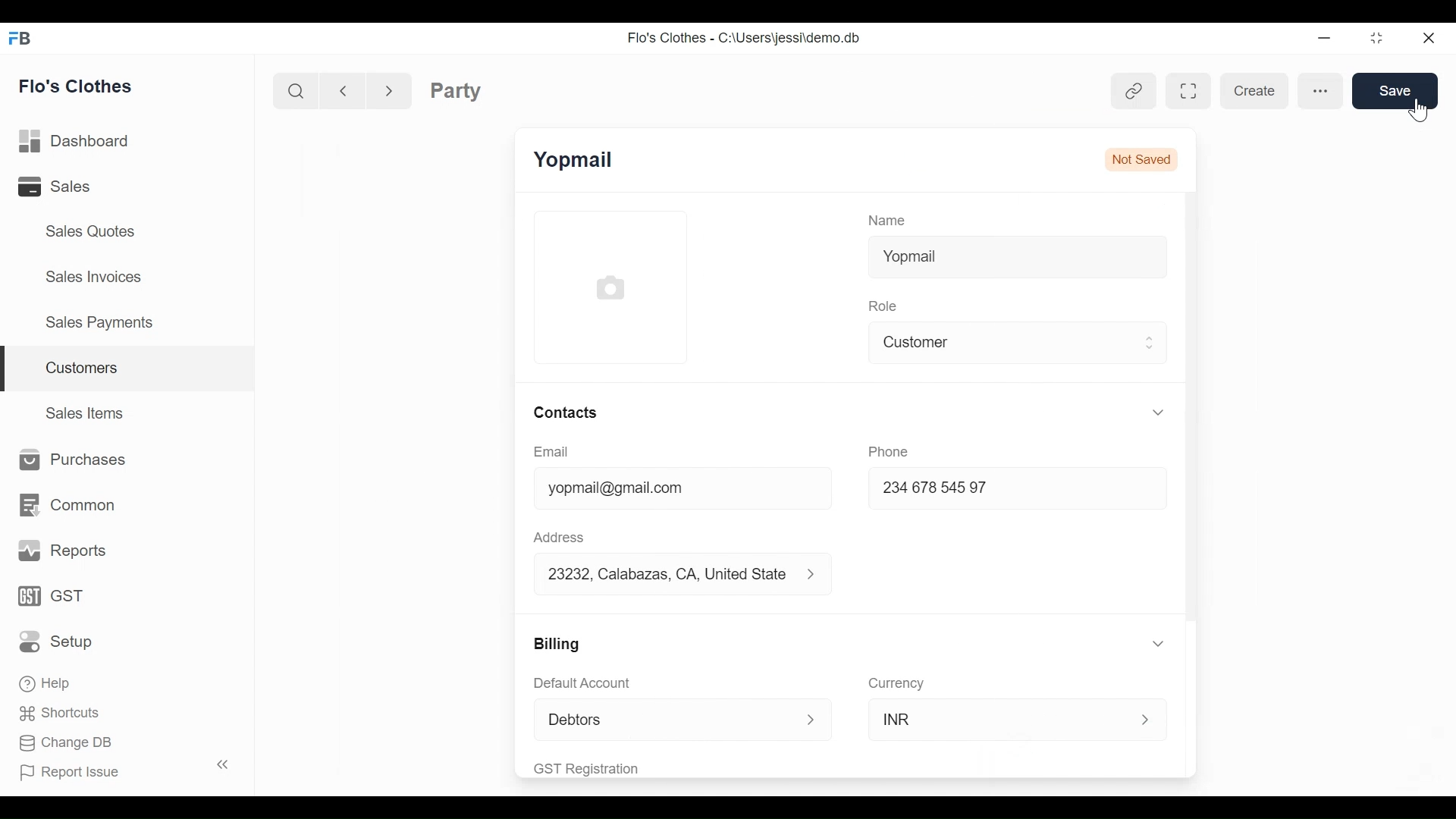  Describe the element at coordinates (812, 718) in the screenshot. I see `Expand` at that location.